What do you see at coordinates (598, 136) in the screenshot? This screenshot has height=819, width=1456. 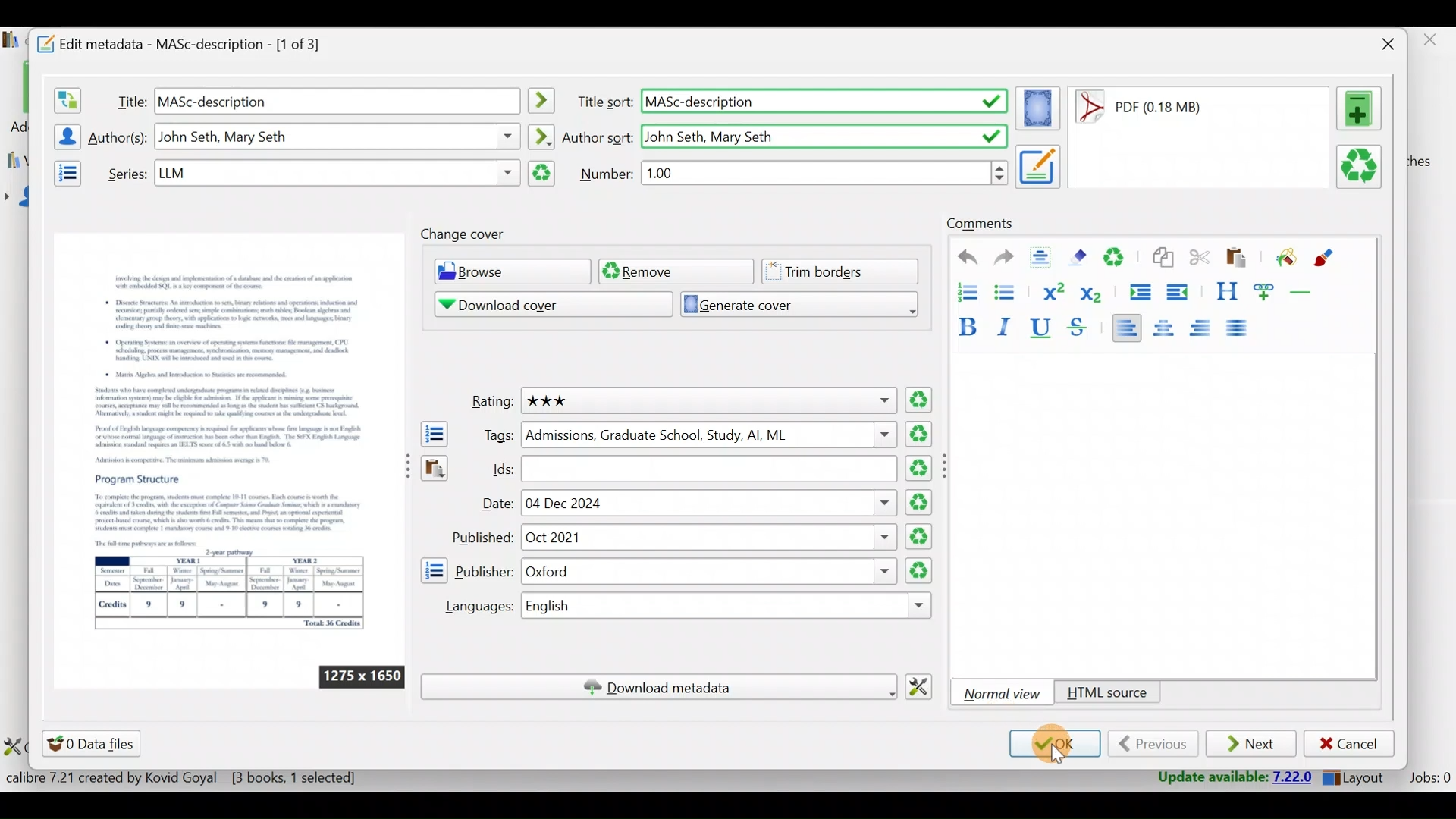 I see `Author sort` at bounding box center [598, 136].